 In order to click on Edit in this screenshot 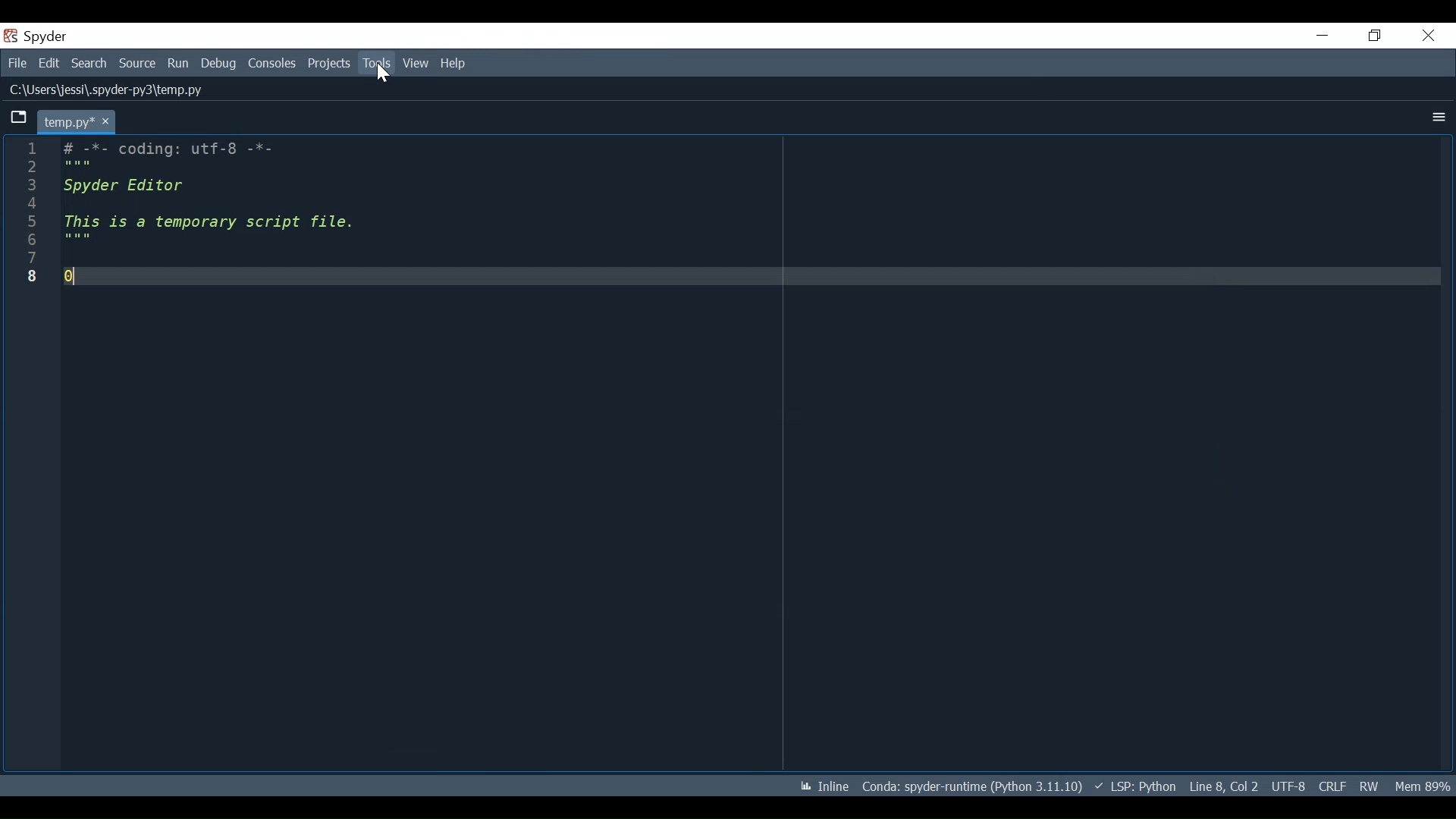, I will do `click(51, 63)`.